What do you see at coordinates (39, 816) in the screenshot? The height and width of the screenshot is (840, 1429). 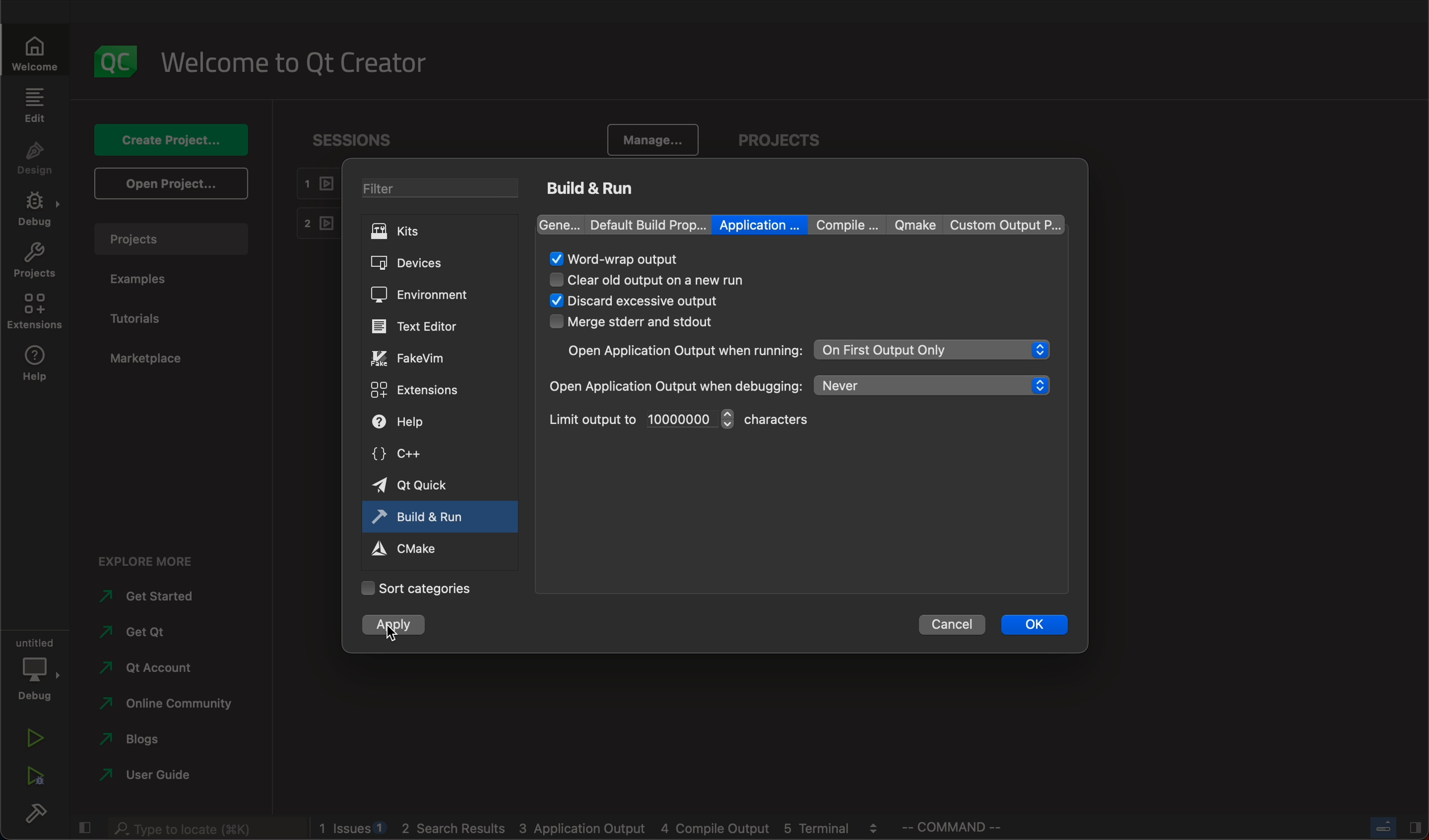 I see `build` at bounding box center [39, 816].